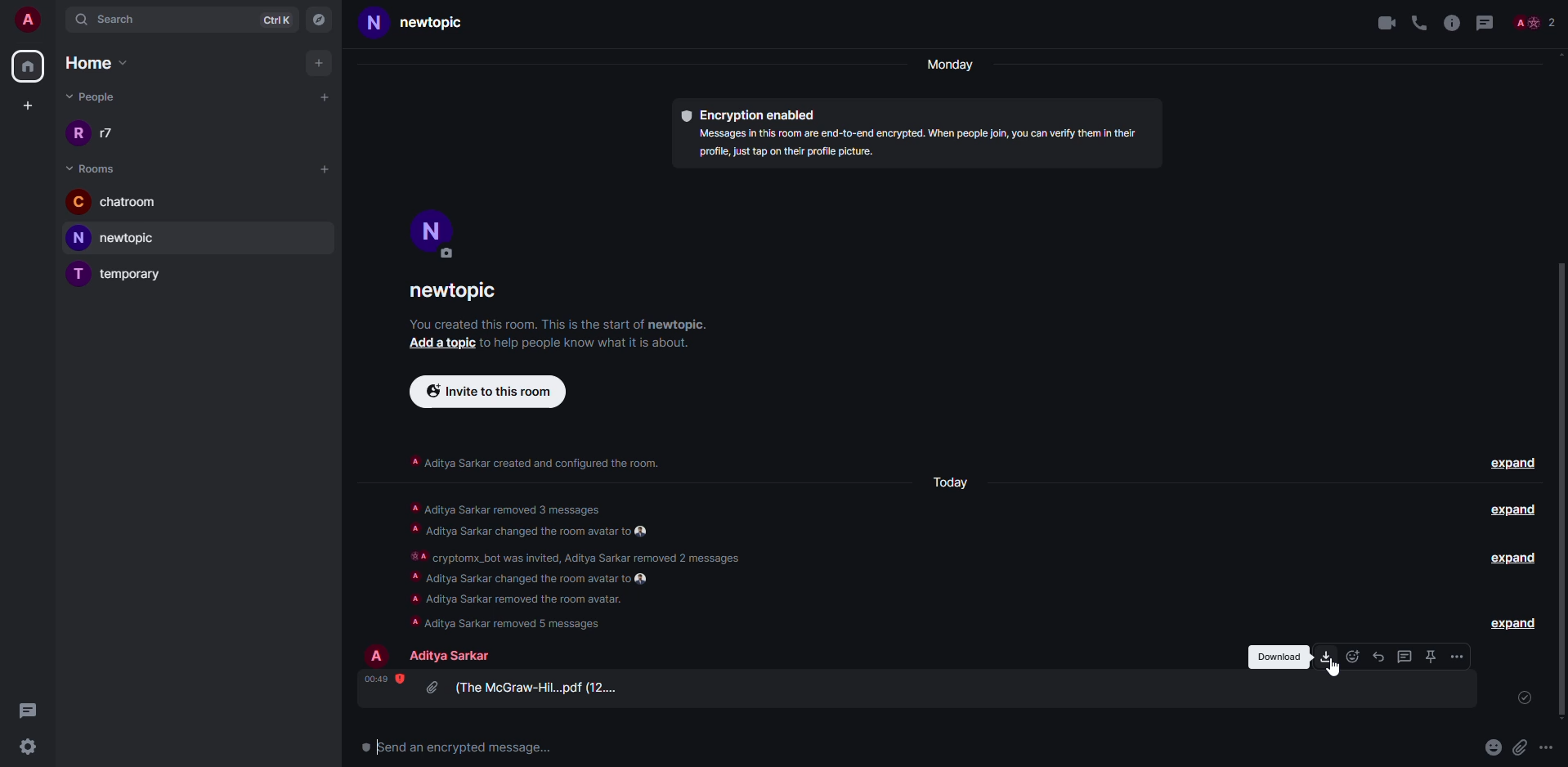 Image resolution: width=1568 pixels, height=767 pixels. What do you see at coordinates (961, 482) in the screenshot?
I see `day` at bounding box center [961, 482].